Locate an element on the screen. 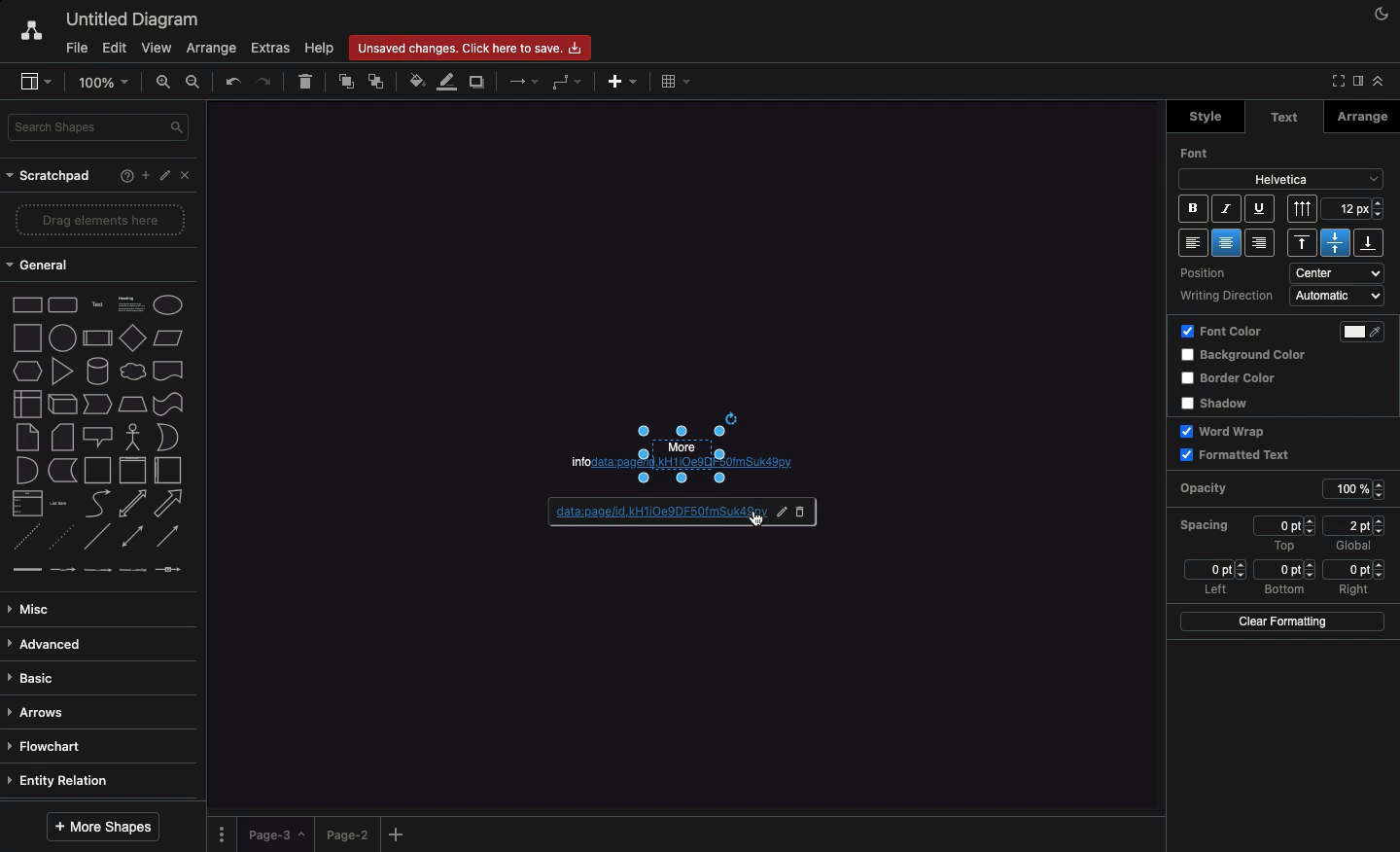 The width and height of the screenshot is (1400, 852). connector with symbol is located at coordinates (171, 569).